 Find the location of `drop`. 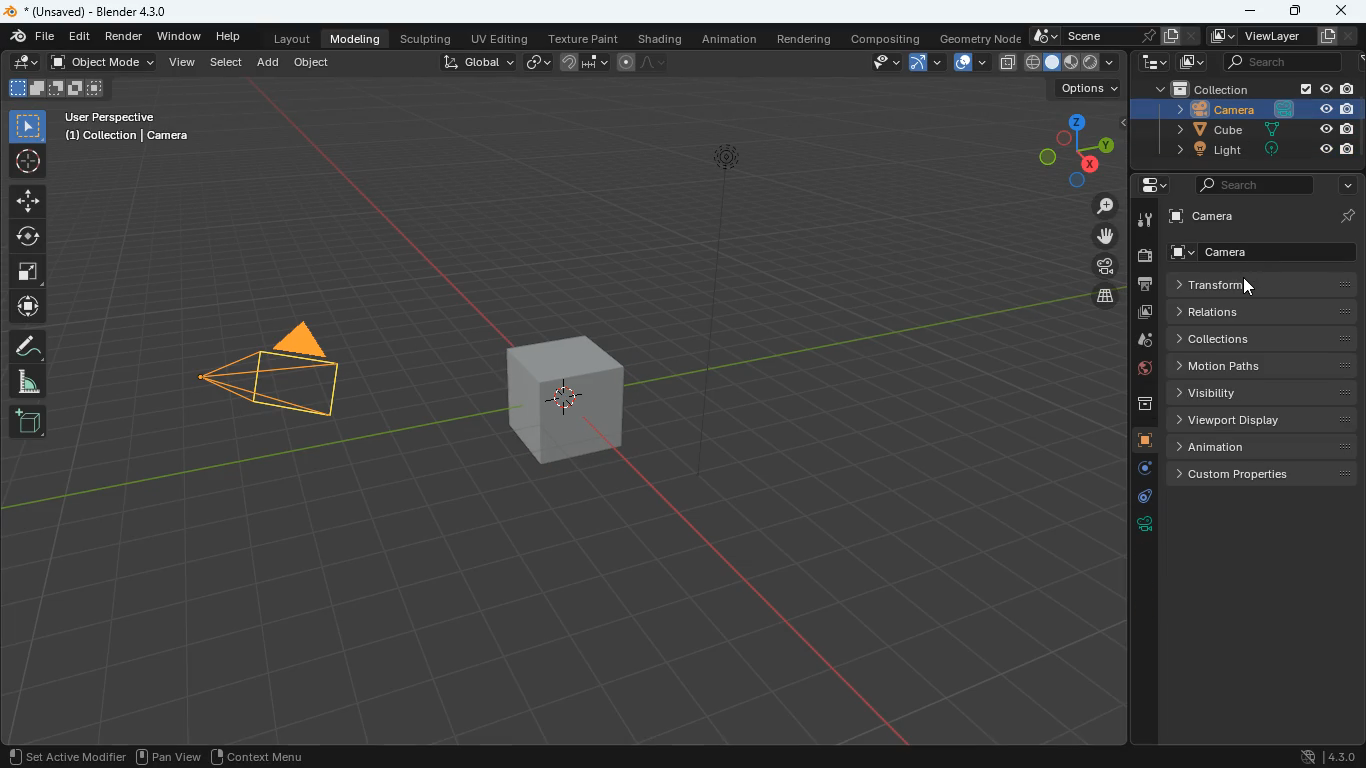

drop is located at coordinates (1140, 342).